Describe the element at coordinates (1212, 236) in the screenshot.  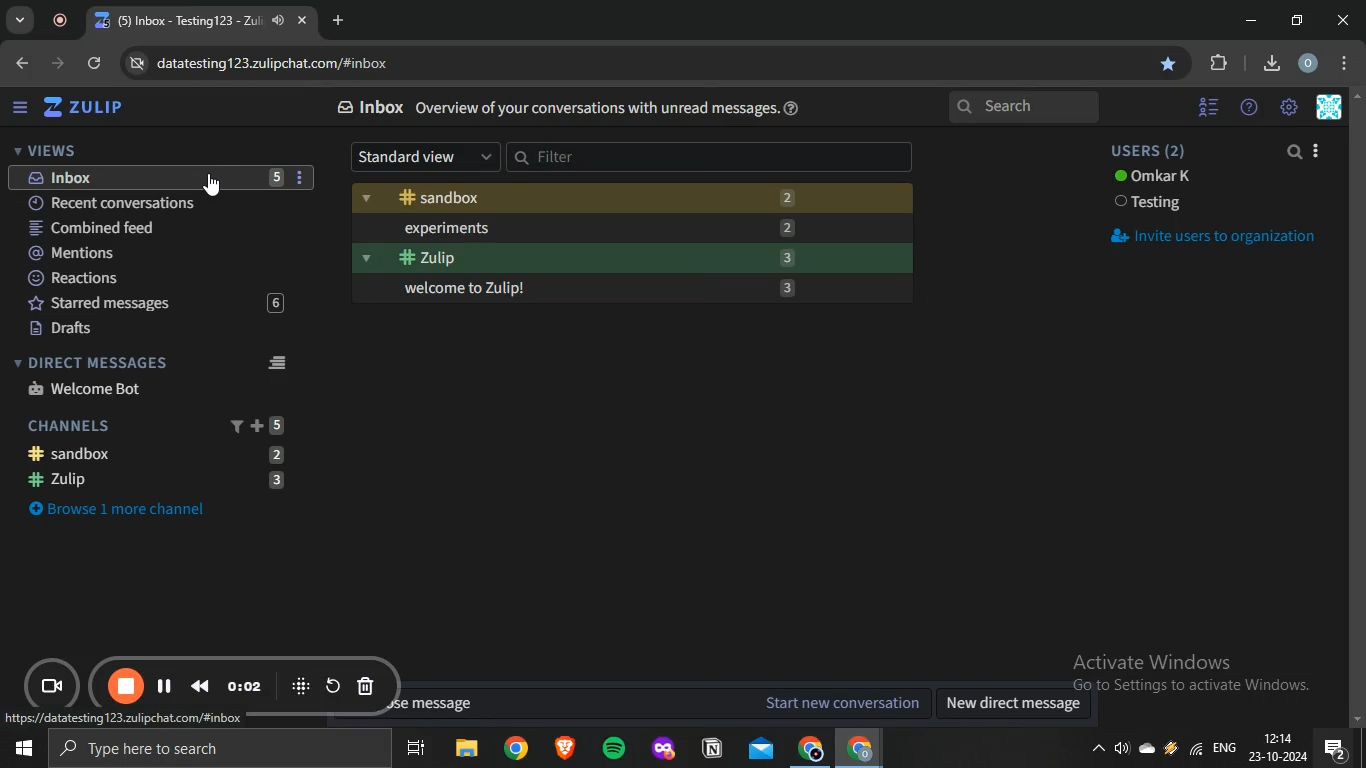
I see `invite users to organization` at that location.